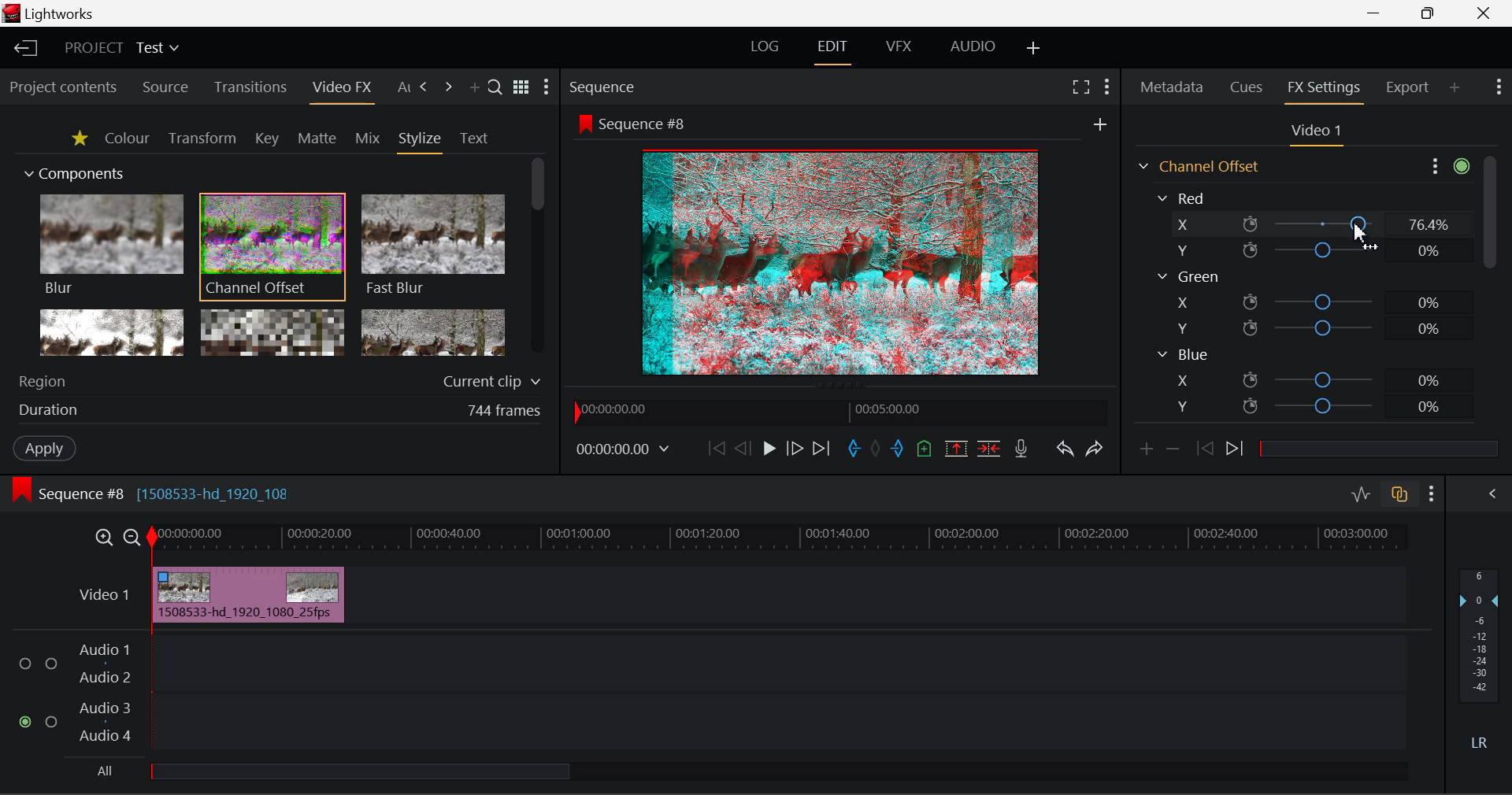 The height and width of the screenshot is (795, 1512). What do you see at coordinates (1408, 87) in the screenshot?
I see `Export` at bounding box center [1408, 87].